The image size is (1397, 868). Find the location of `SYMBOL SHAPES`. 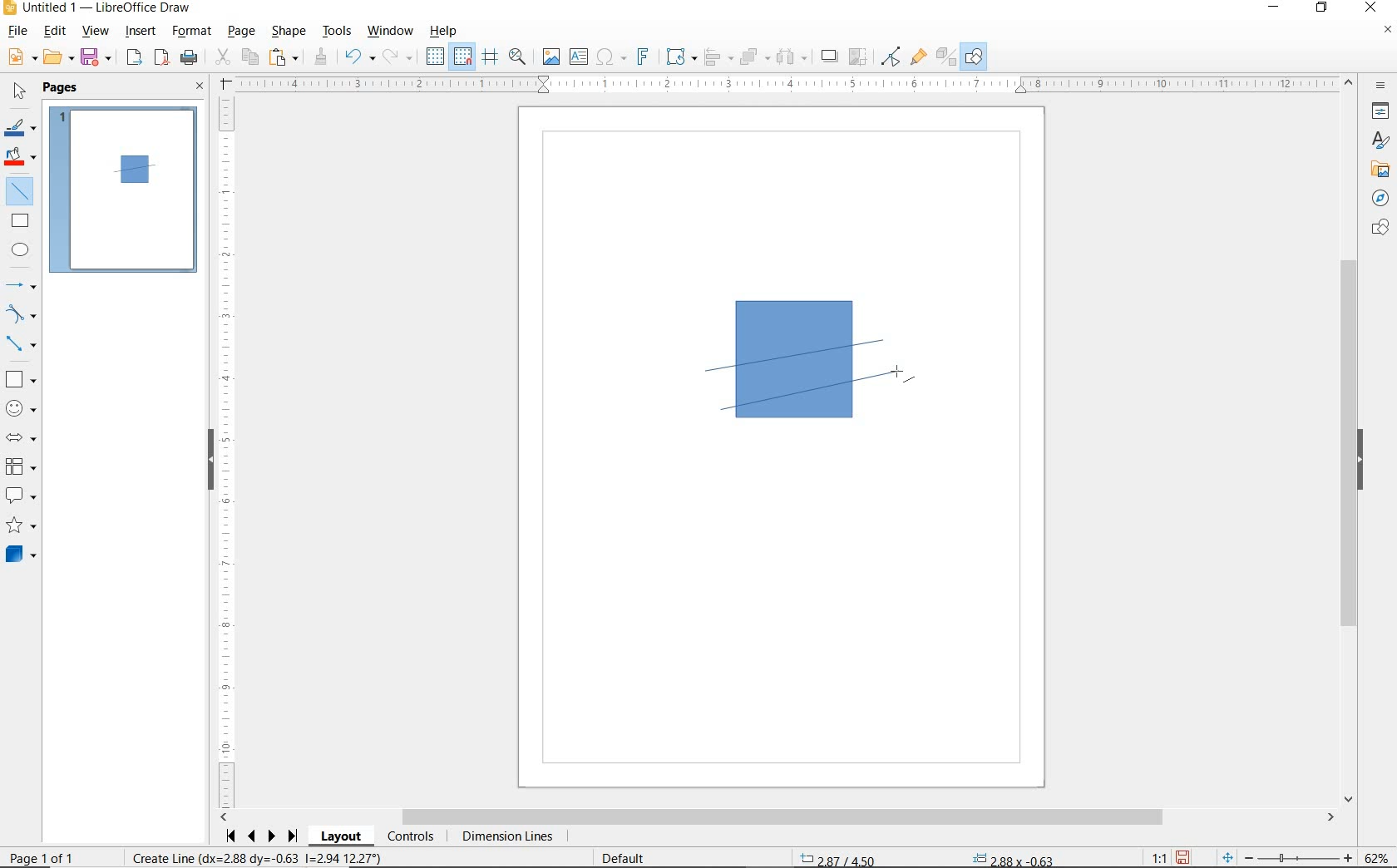

SYMBOL SHAPES is located at coordinates (22, 407).